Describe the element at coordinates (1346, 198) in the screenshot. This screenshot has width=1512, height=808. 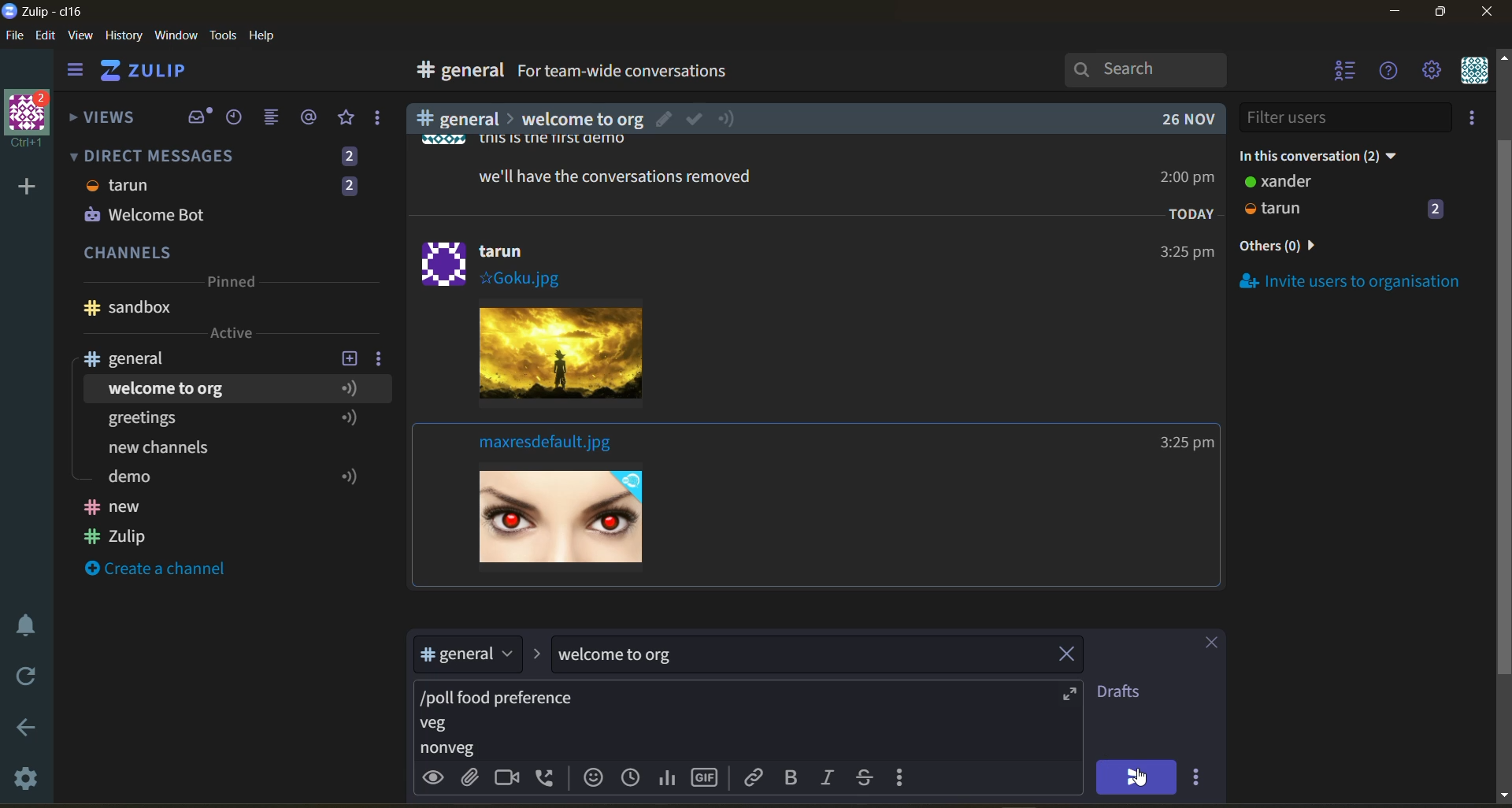
I see `users and status` at that location.